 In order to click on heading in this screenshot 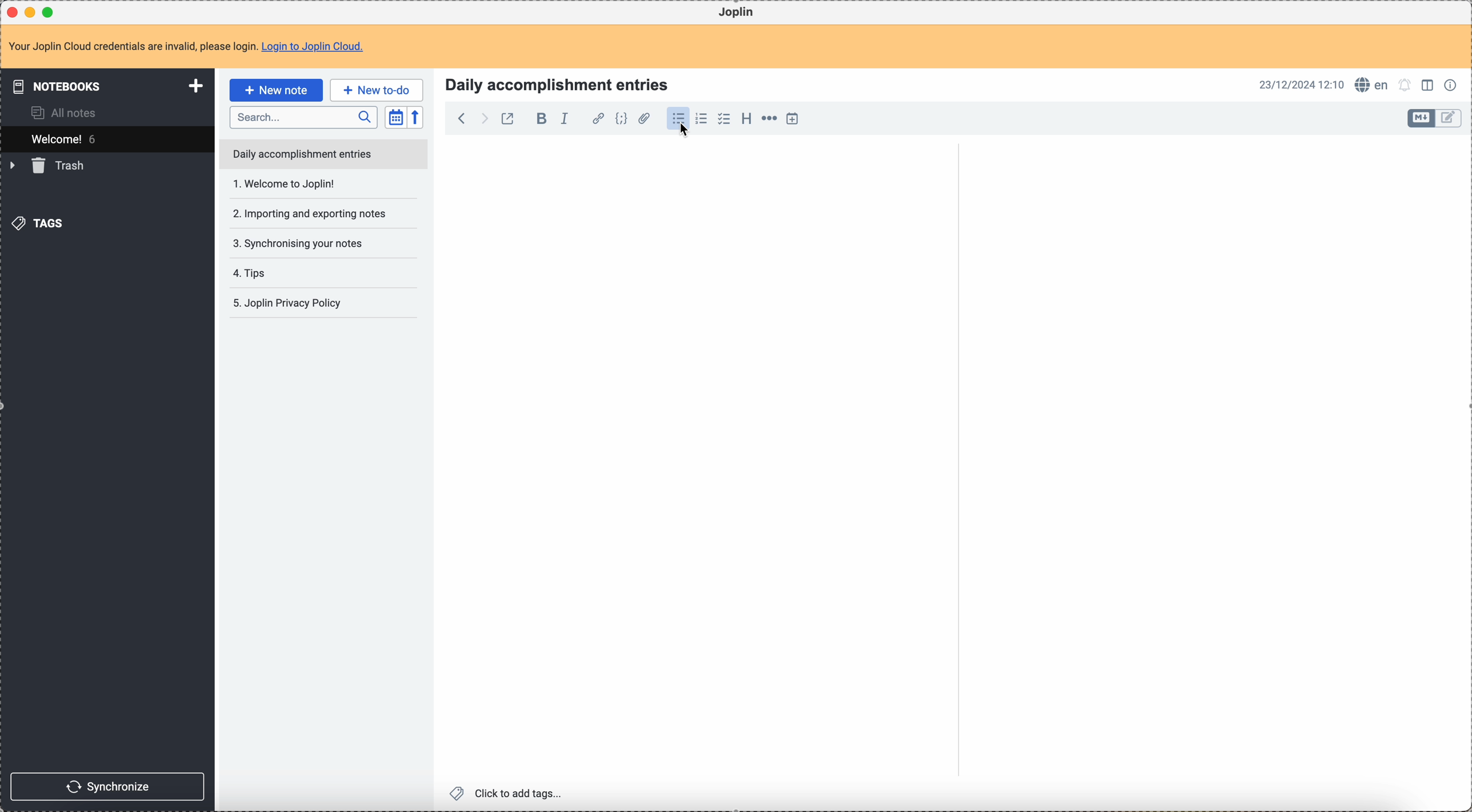, I will do `click(746, 119)`.